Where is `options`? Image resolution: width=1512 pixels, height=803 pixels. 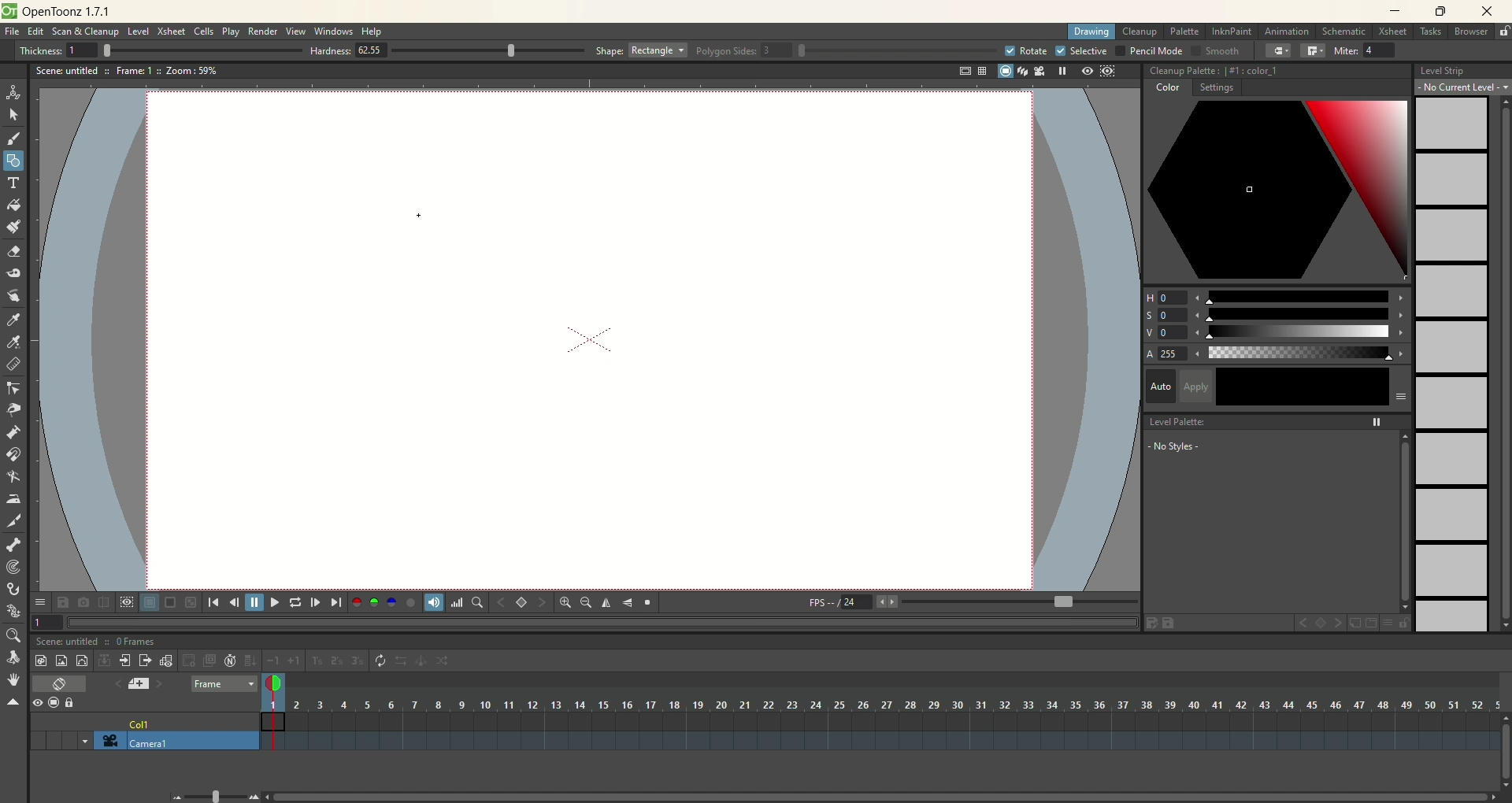 options is located at coordinates (39, 599).